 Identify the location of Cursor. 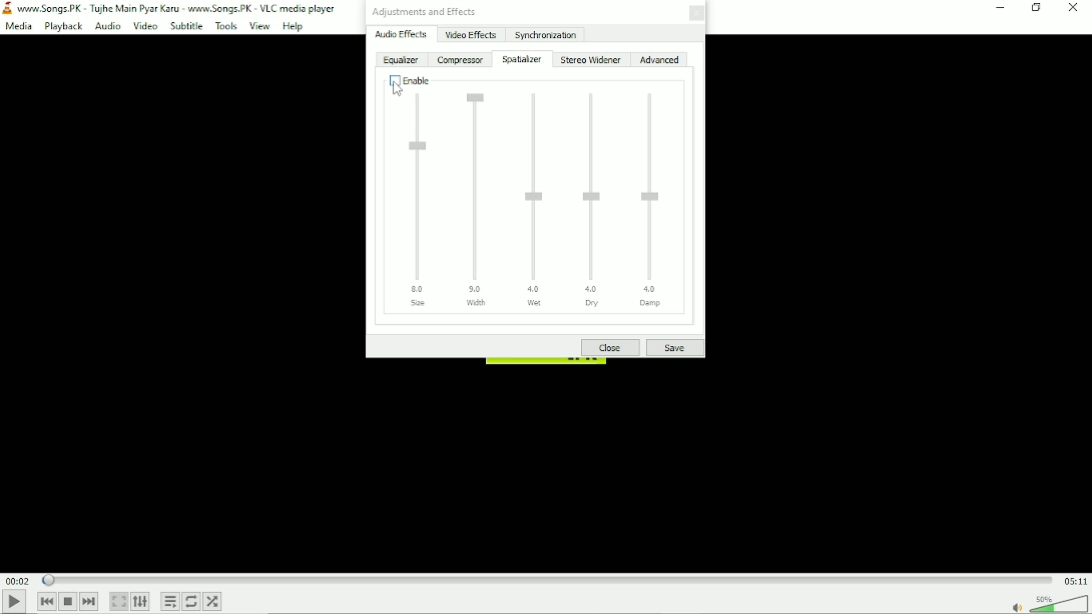
(397, 89).